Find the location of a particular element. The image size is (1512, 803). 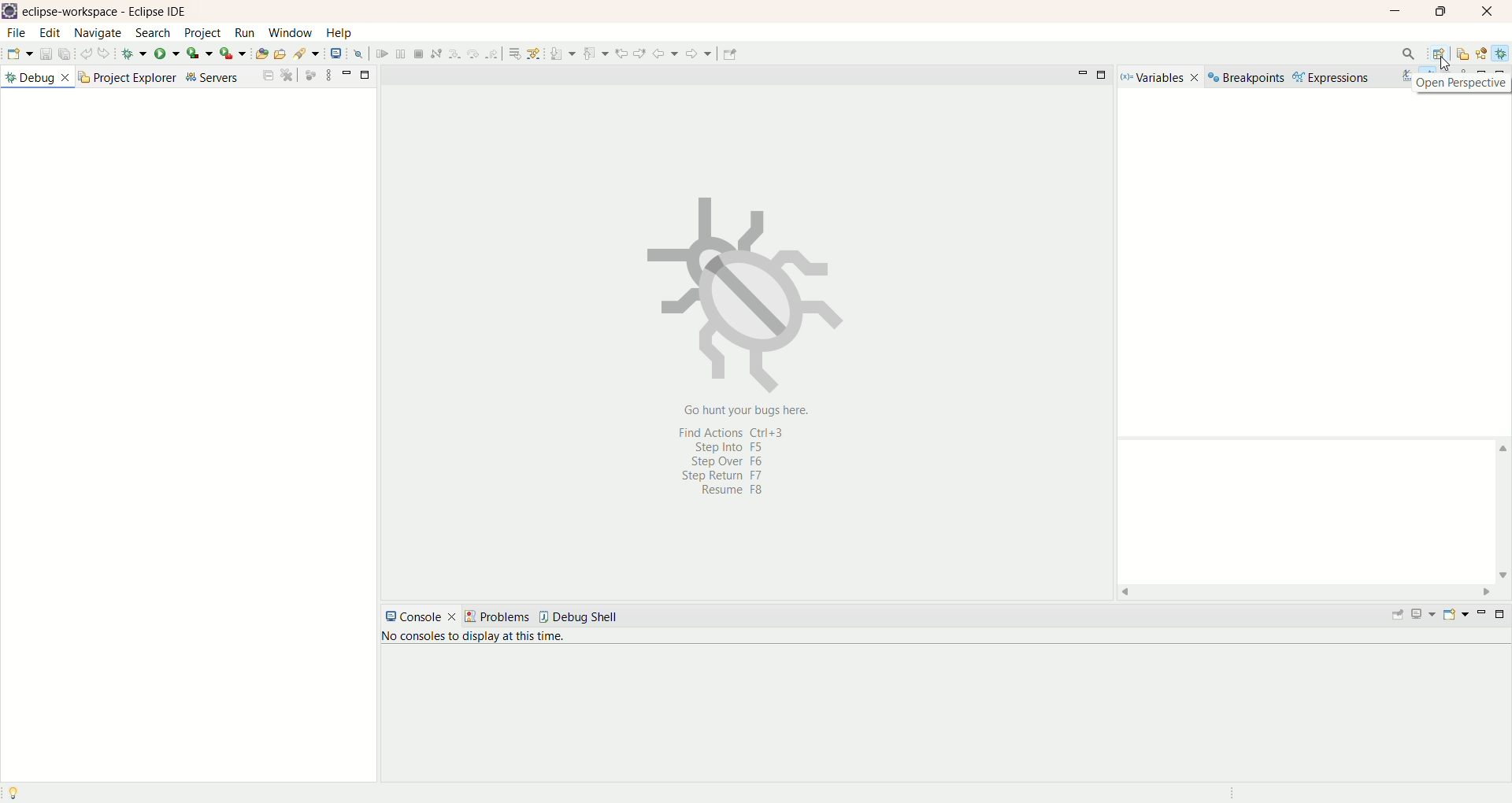

disconnect is located at coordinates (550, 53).